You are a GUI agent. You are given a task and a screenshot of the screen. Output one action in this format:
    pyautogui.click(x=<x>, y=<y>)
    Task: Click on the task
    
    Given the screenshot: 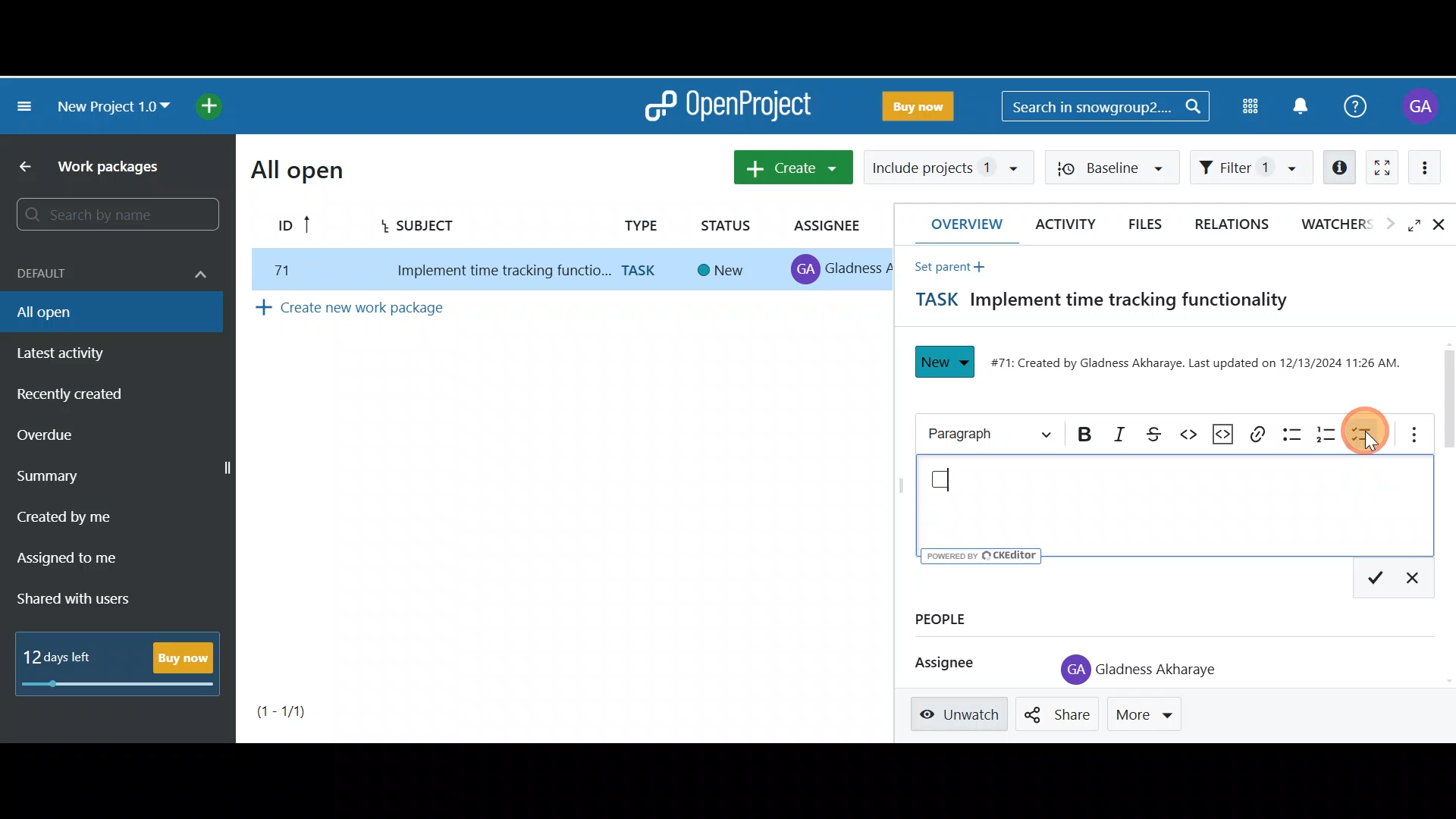 What is the action you would take?
    pyautogui.click(x=643, y=271)
    